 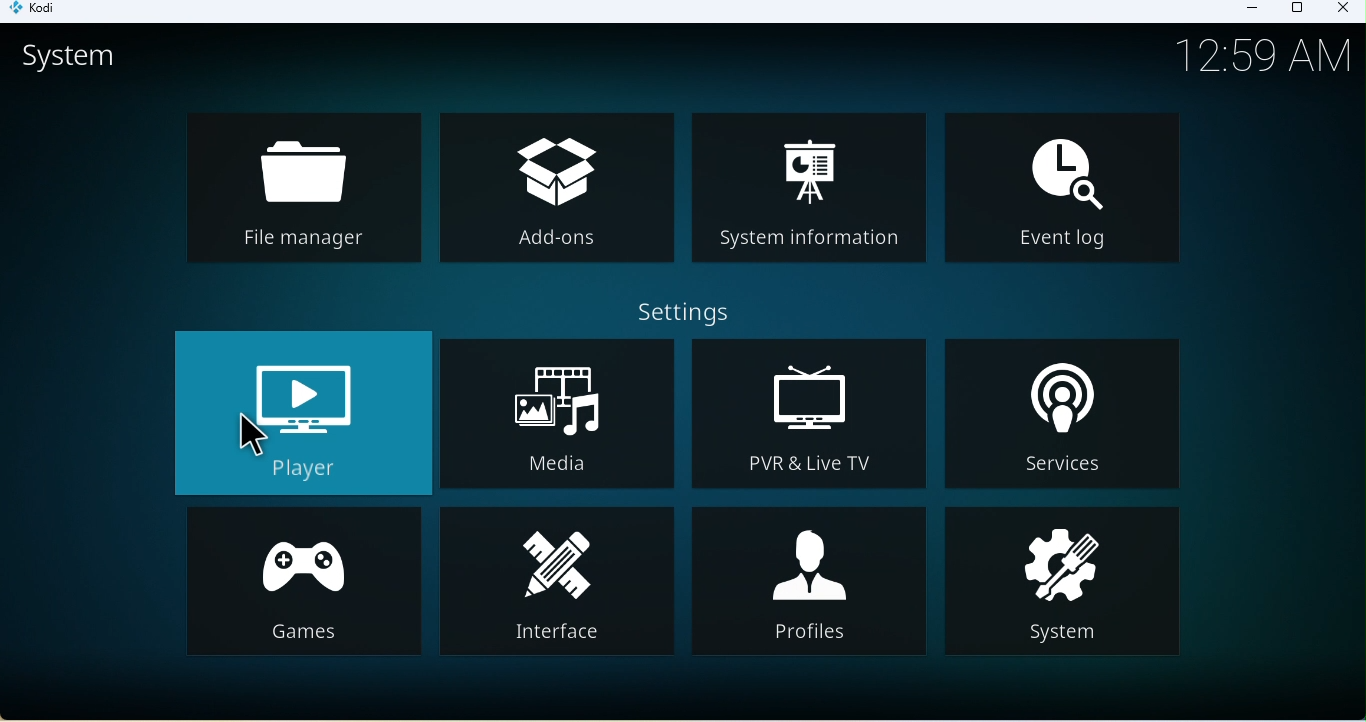 What do you see at coordinates (567, 587) in the screenshot?
I see `Interface` at bounding box center [567, 587].